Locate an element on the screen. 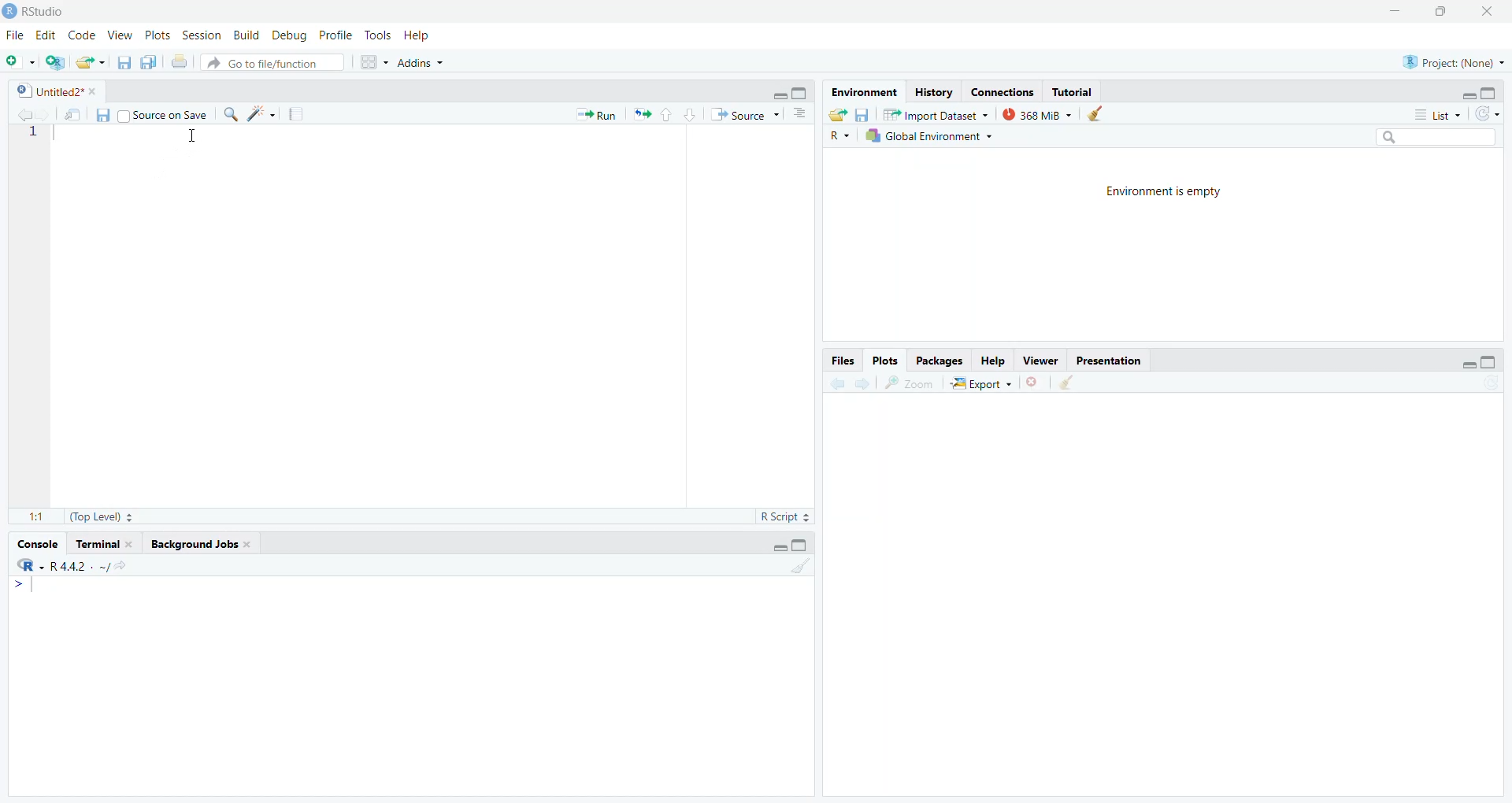 Image resolution: width=1512 pixels, height=803 pixels. Background Jobs. is located at coordinates (207, 545).